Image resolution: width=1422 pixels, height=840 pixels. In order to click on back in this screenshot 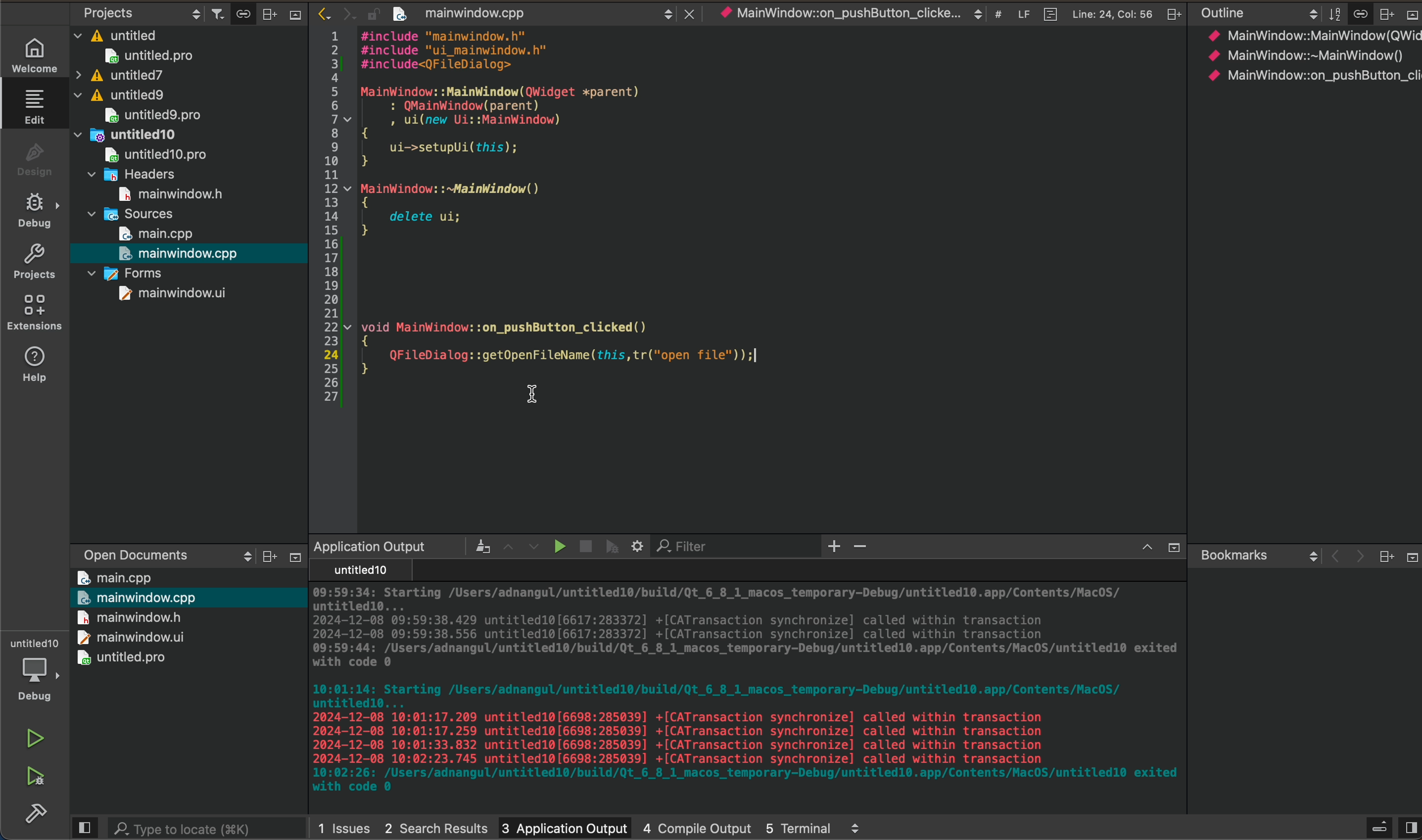, I will do `click(1331, 557)`.